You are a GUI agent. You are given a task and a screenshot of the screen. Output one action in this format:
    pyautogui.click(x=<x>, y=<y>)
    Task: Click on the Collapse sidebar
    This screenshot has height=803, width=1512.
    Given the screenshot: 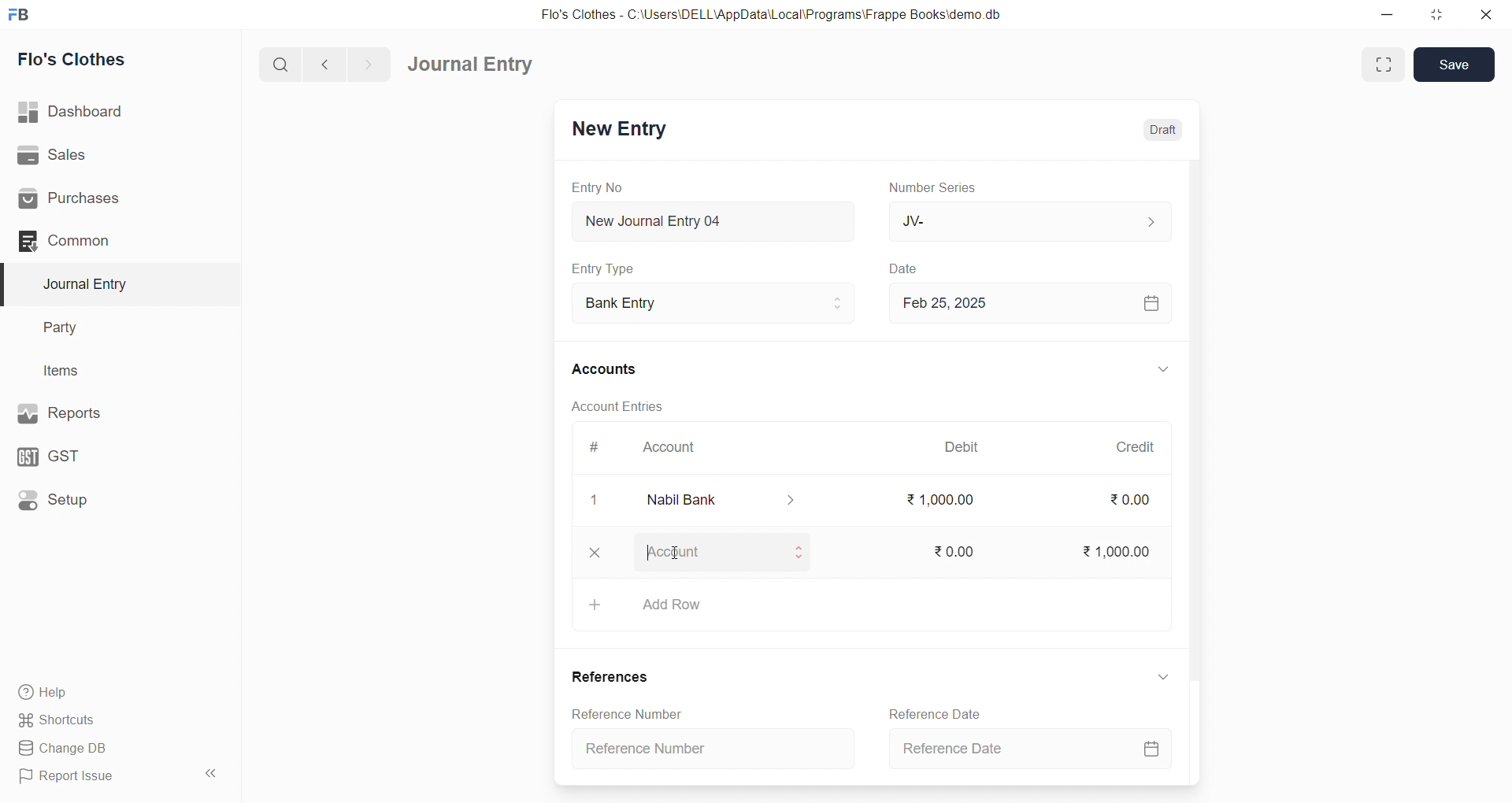 What is the action you would take?
    pyautogui.click(x=213, y=776)
    